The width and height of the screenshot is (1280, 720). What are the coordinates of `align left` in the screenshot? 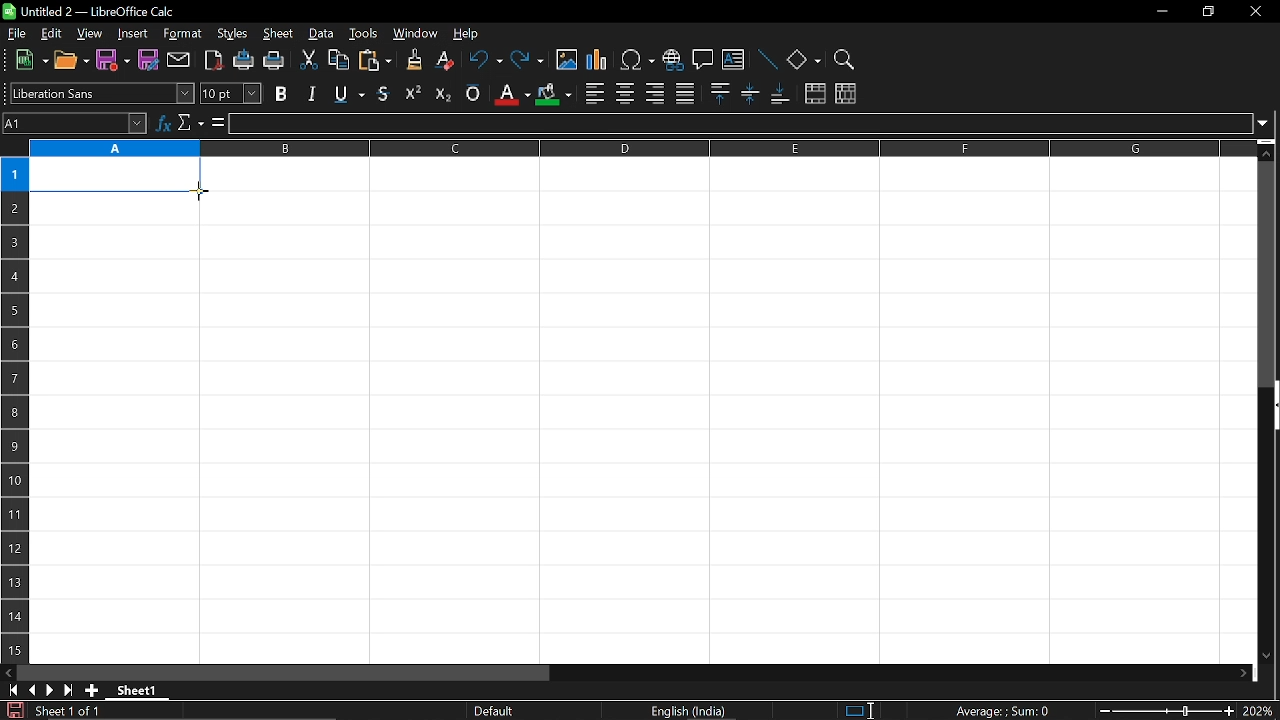 It's located at (594, 92).